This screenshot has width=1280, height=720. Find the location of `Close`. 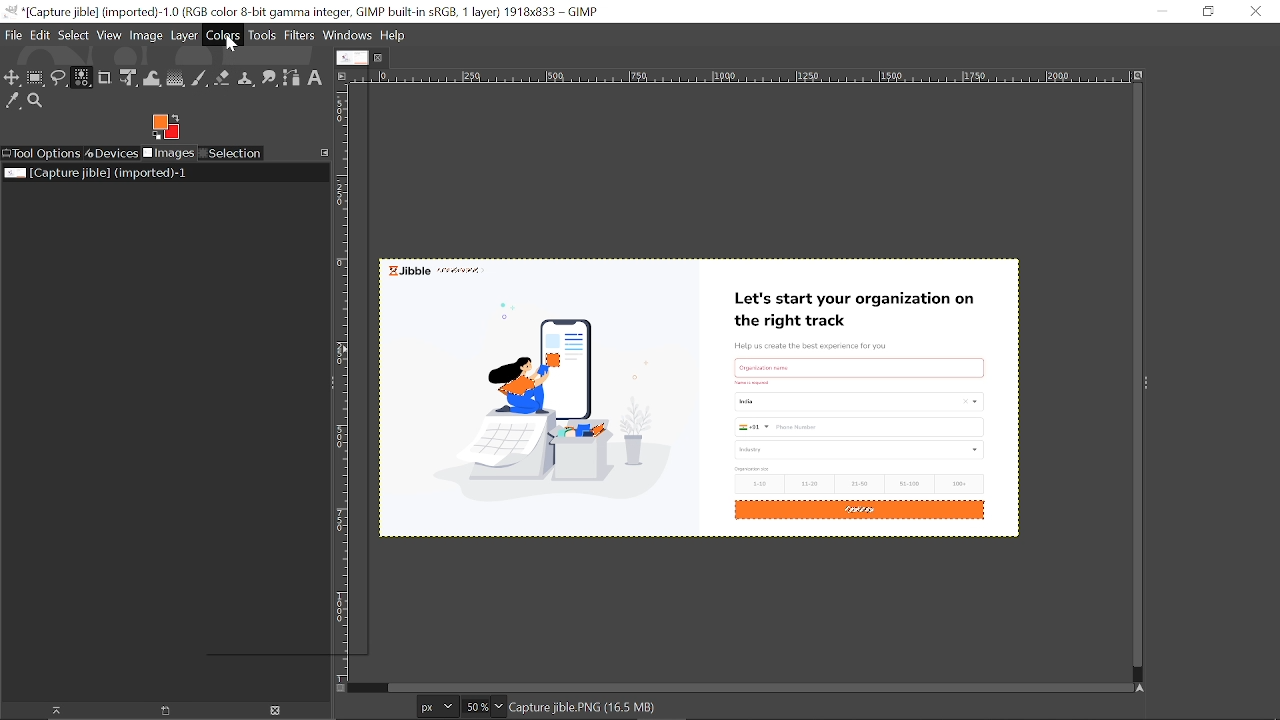

Close is located at coordinates (1255, 12).